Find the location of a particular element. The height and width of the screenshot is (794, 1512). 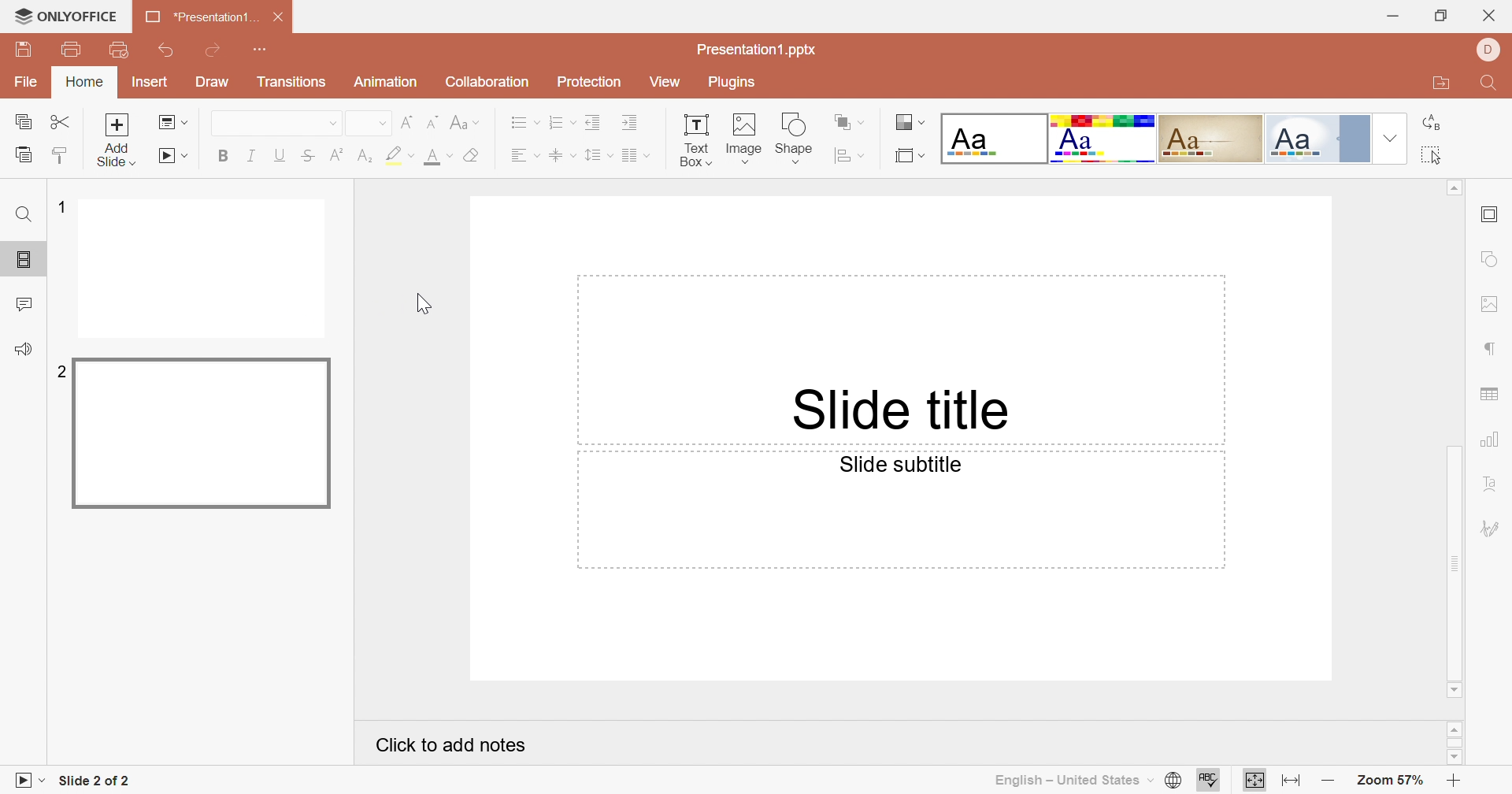

Drop Down is located at coordinates (610, 155).